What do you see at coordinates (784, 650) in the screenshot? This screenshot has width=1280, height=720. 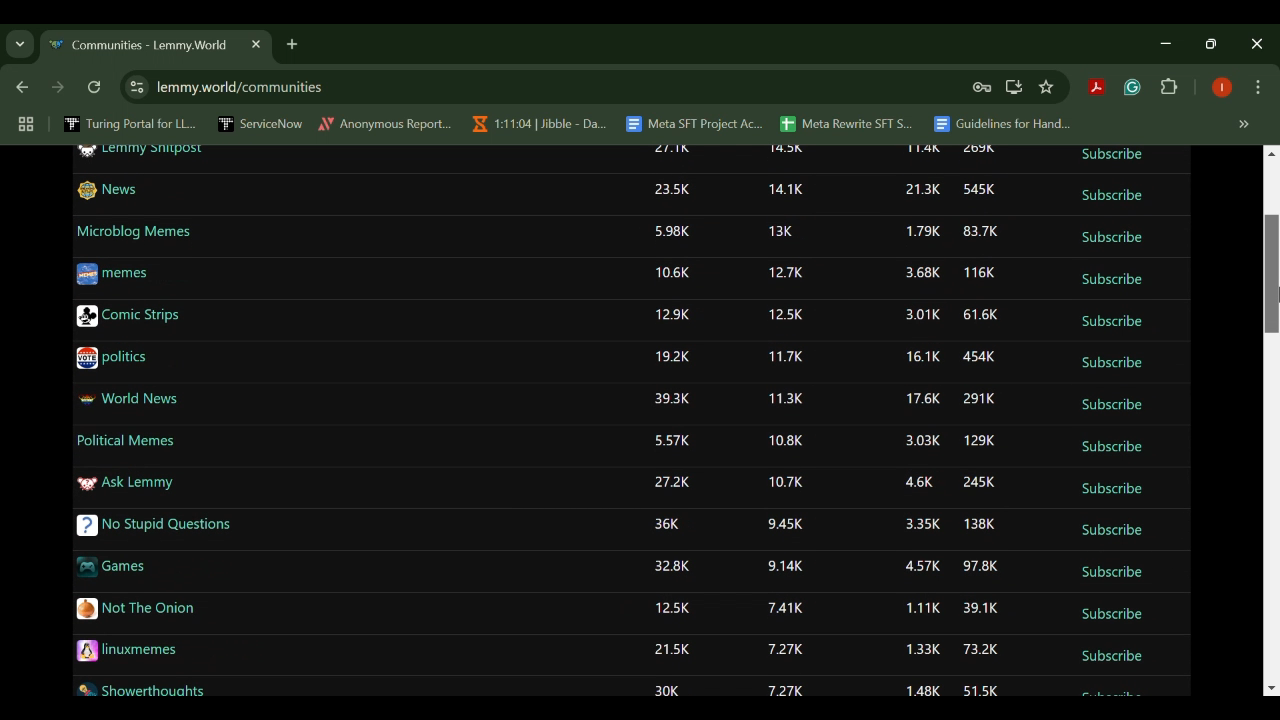 I see `7.27K` at bounding box center [784, 650].